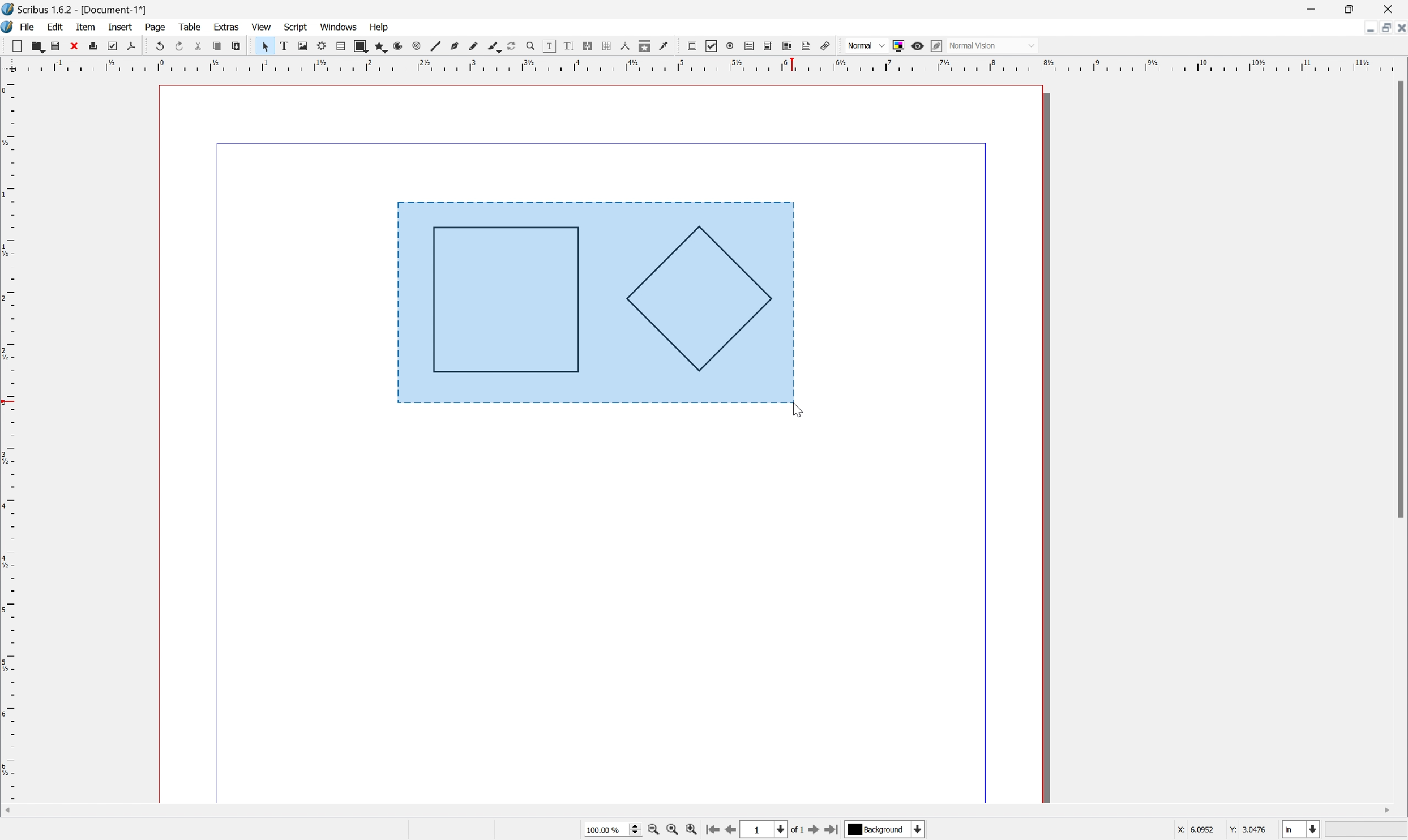 The height and width of the screenshot is (840, 1408). I want to click on save as pdf, so click(135, 44).